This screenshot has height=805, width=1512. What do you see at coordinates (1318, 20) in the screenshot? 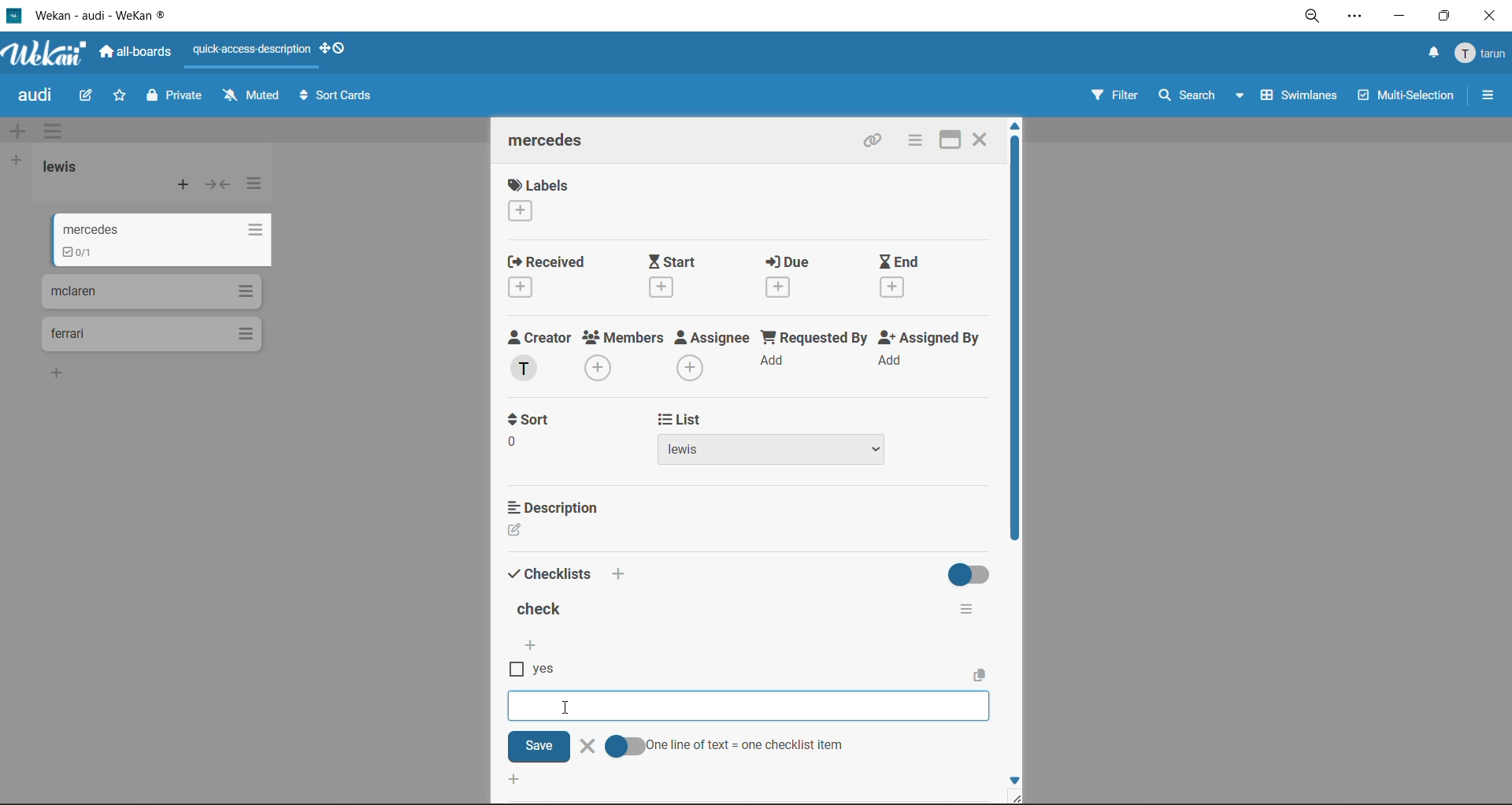
I see `zoom` at bounding box center [1318, 20].